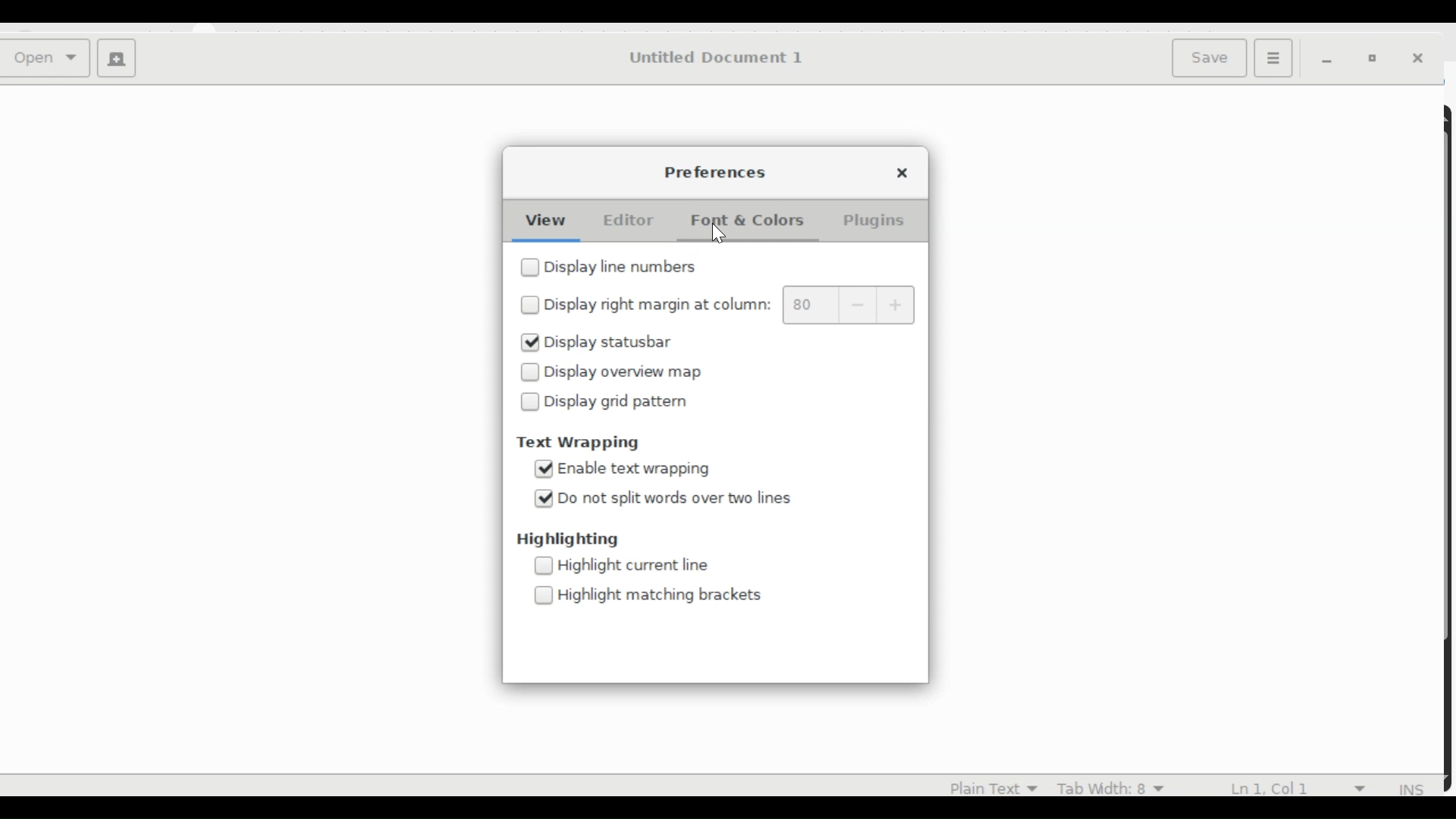 The width and height of the screenshot is (1456, 819). I want to click on Text Wrapping, so click(584, 442).